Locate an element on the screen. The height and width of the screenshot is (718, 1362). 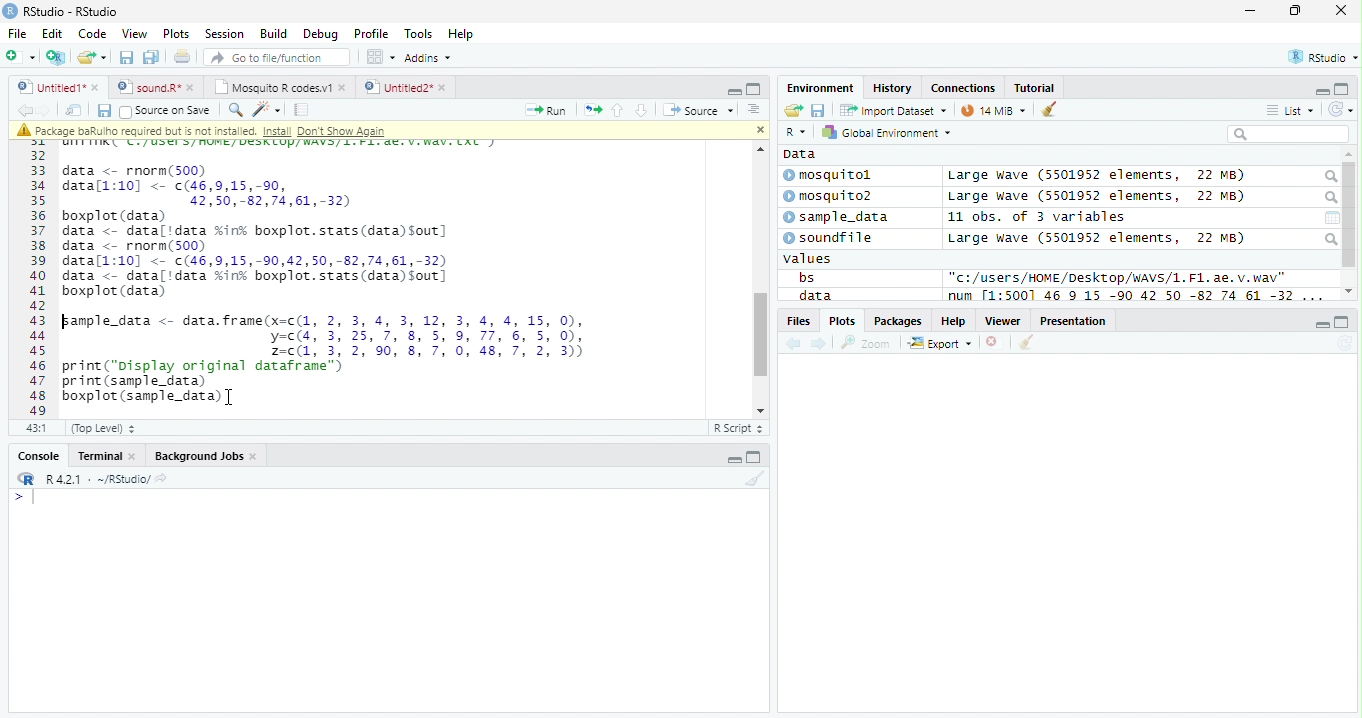
clear console is located at coordinates (1049, 108).